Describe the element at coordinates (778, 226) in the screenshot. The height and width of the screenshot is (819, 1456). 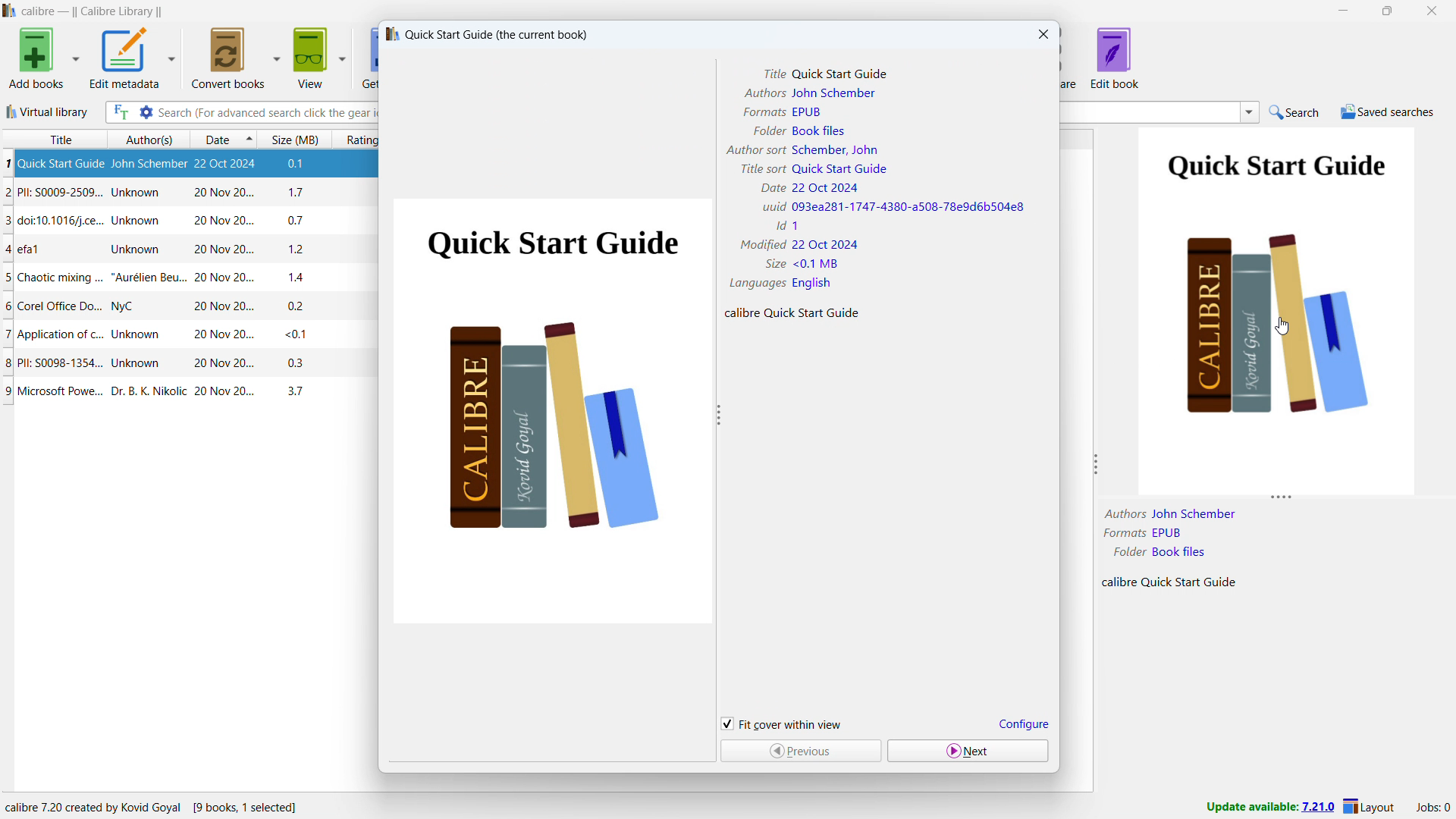
I see `Id` at that location.